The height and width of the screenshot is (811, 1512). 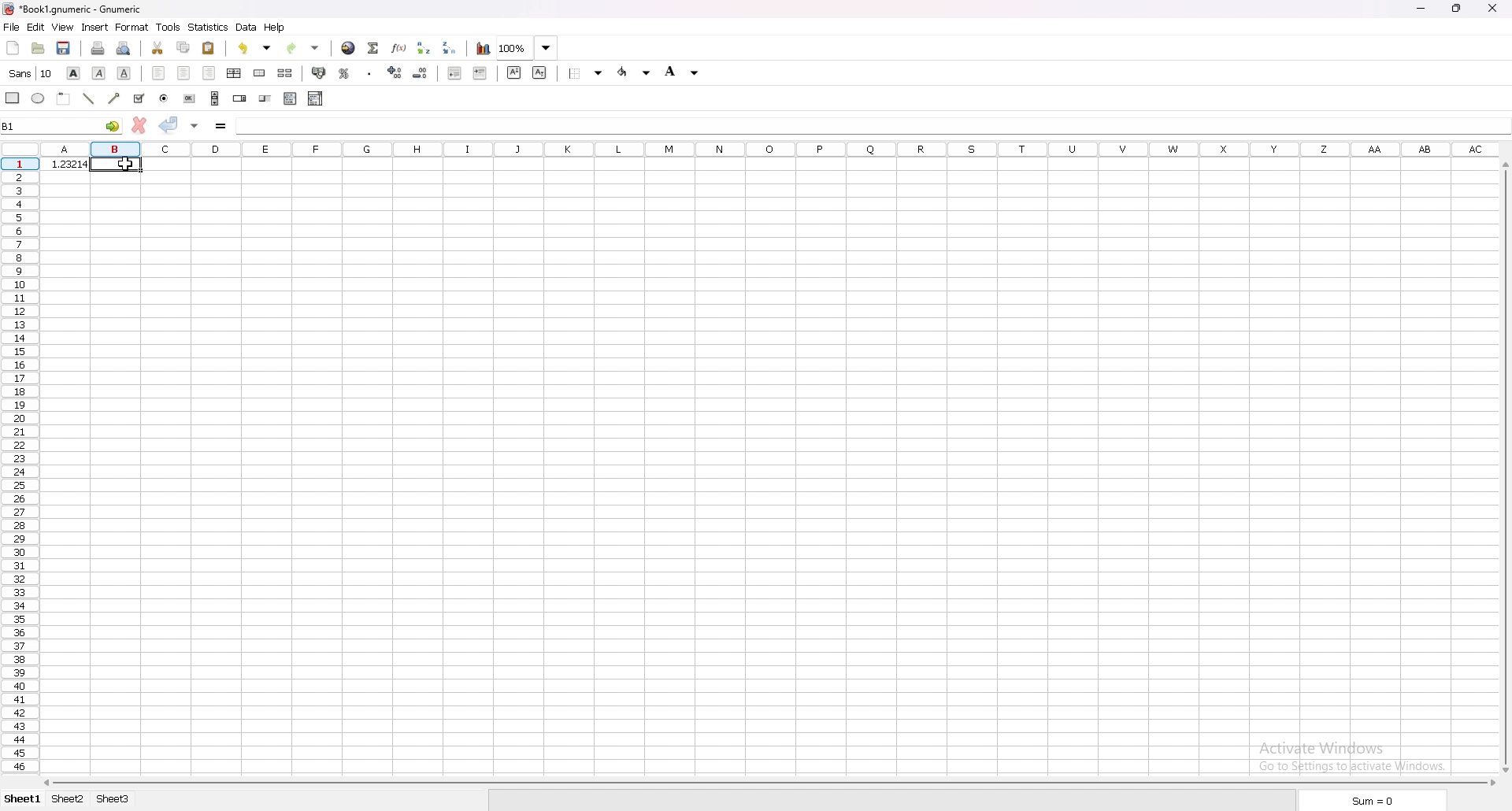 I want to click on centre horizontally, so click(x=235, y=73).